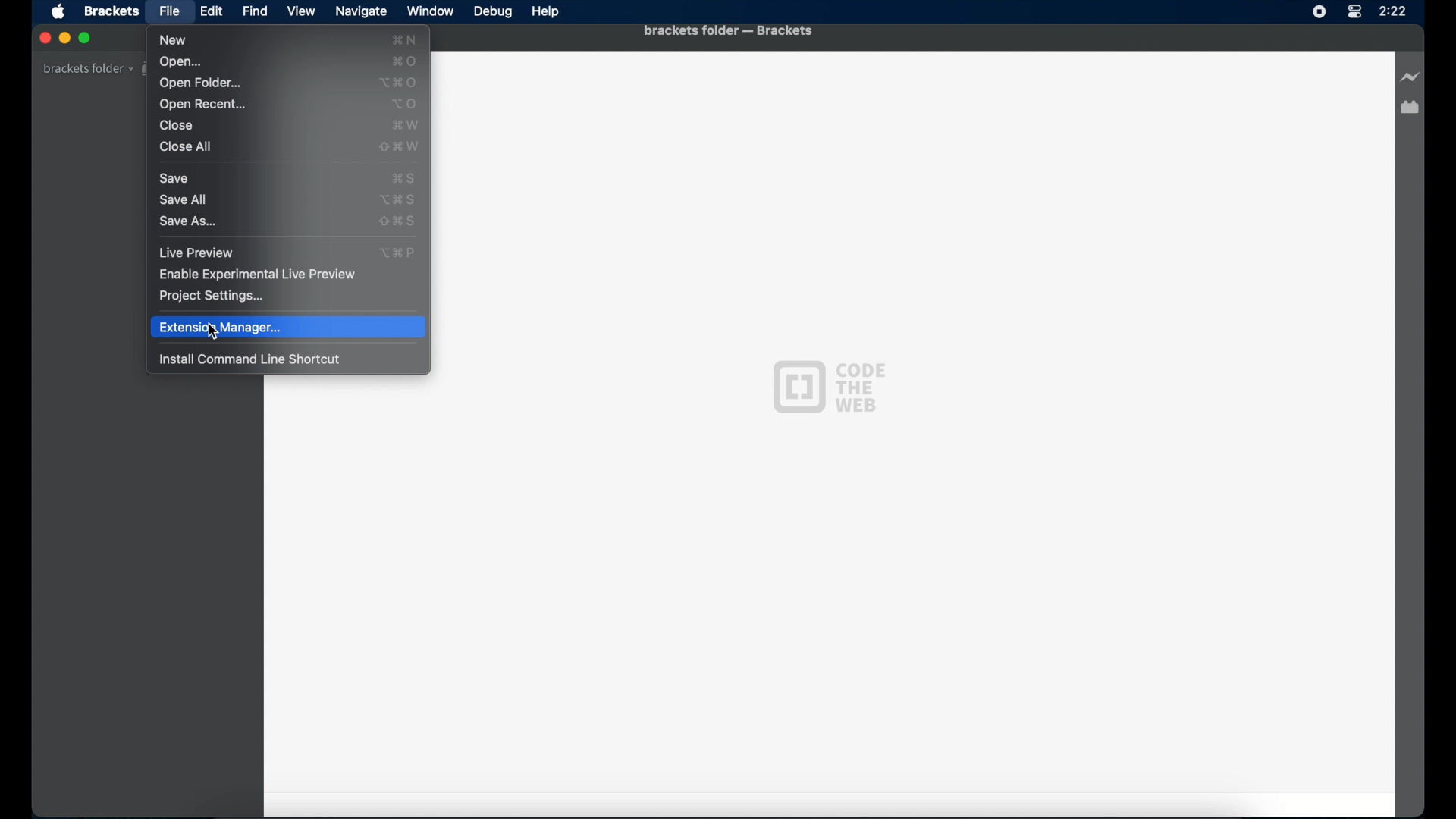 Image resolution: width=1456 pixels, height=819 pixels. Describe the element at coordinates (256, 11) in the screenshot. I see `find` at that location.